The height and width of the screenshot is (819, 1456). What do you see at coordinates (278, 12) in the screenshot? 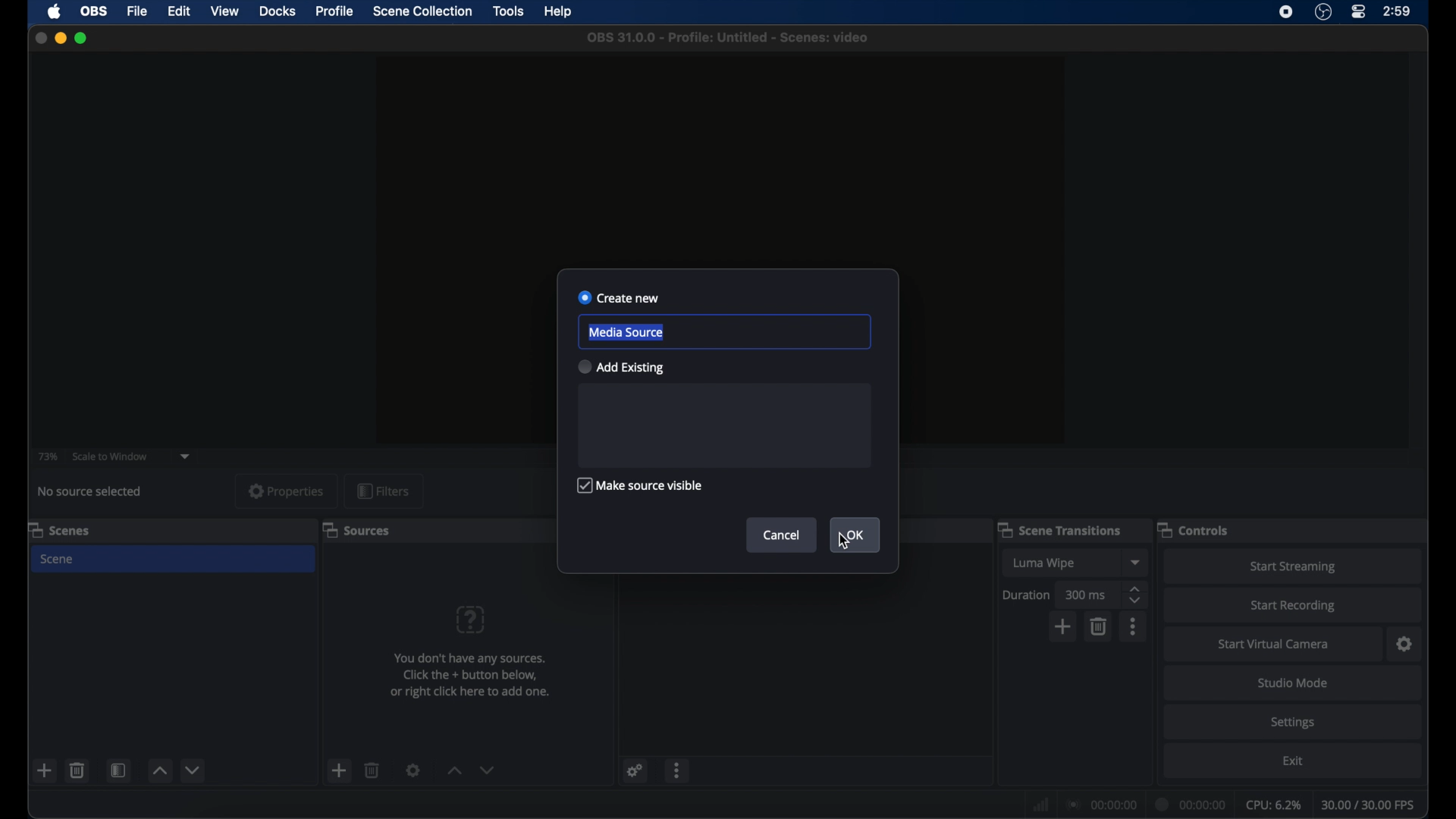
I see `docks` at bounding box center [278, 12].